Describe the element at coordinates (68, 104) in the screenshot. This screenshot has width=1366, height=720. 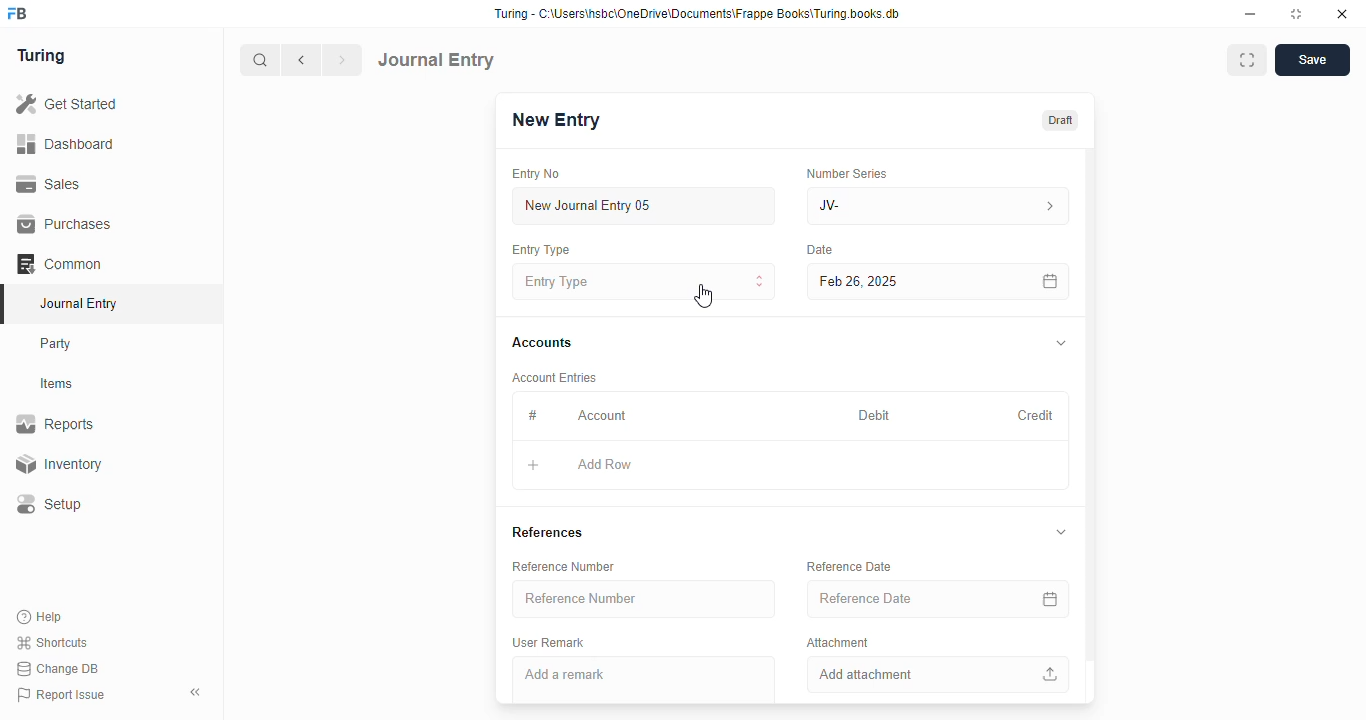
I see `get started` at that location.